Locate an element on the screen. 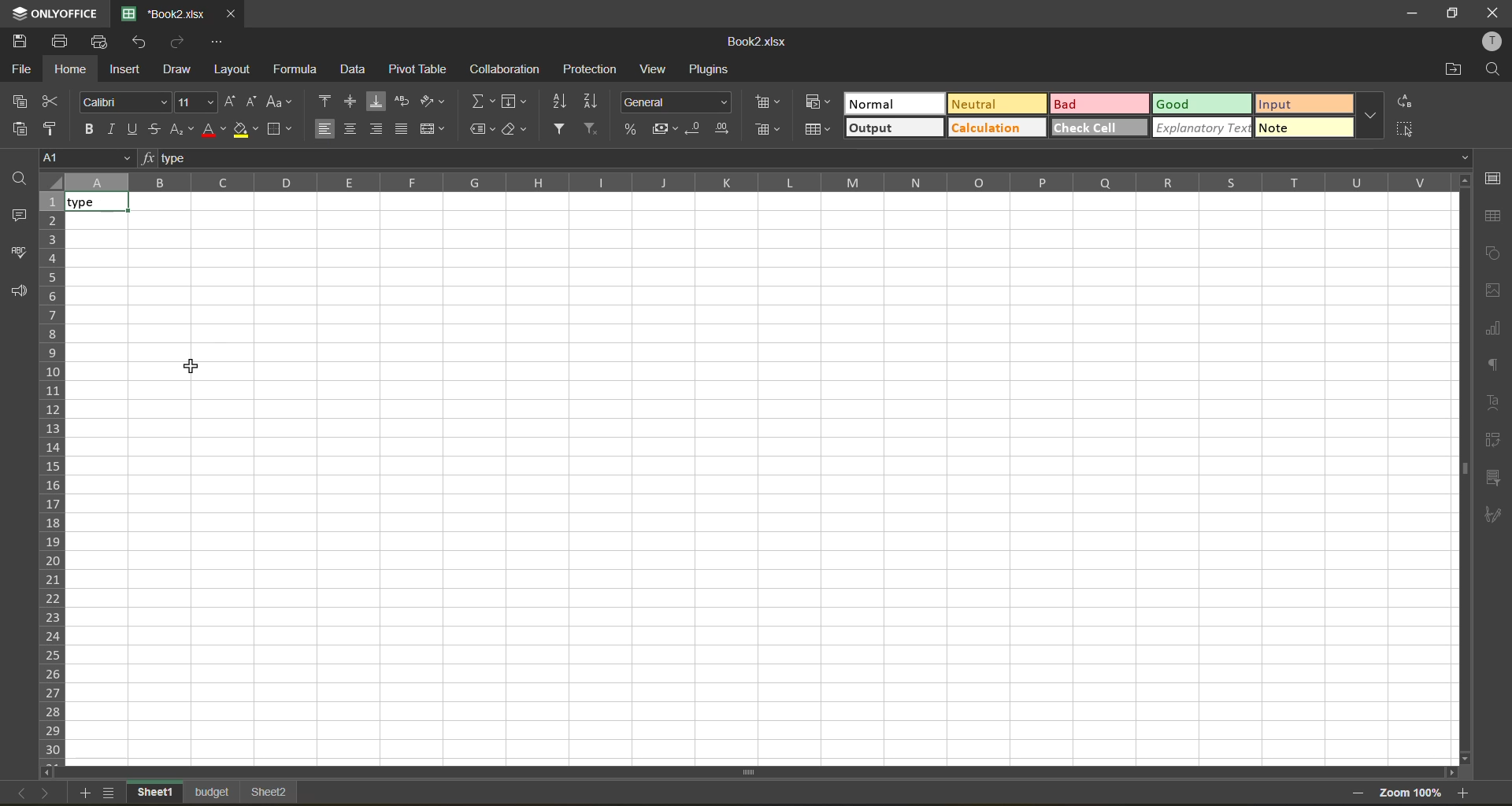 The width and height of the screenshot is (1512, 806). open location is located at coordinates (1454, 69).